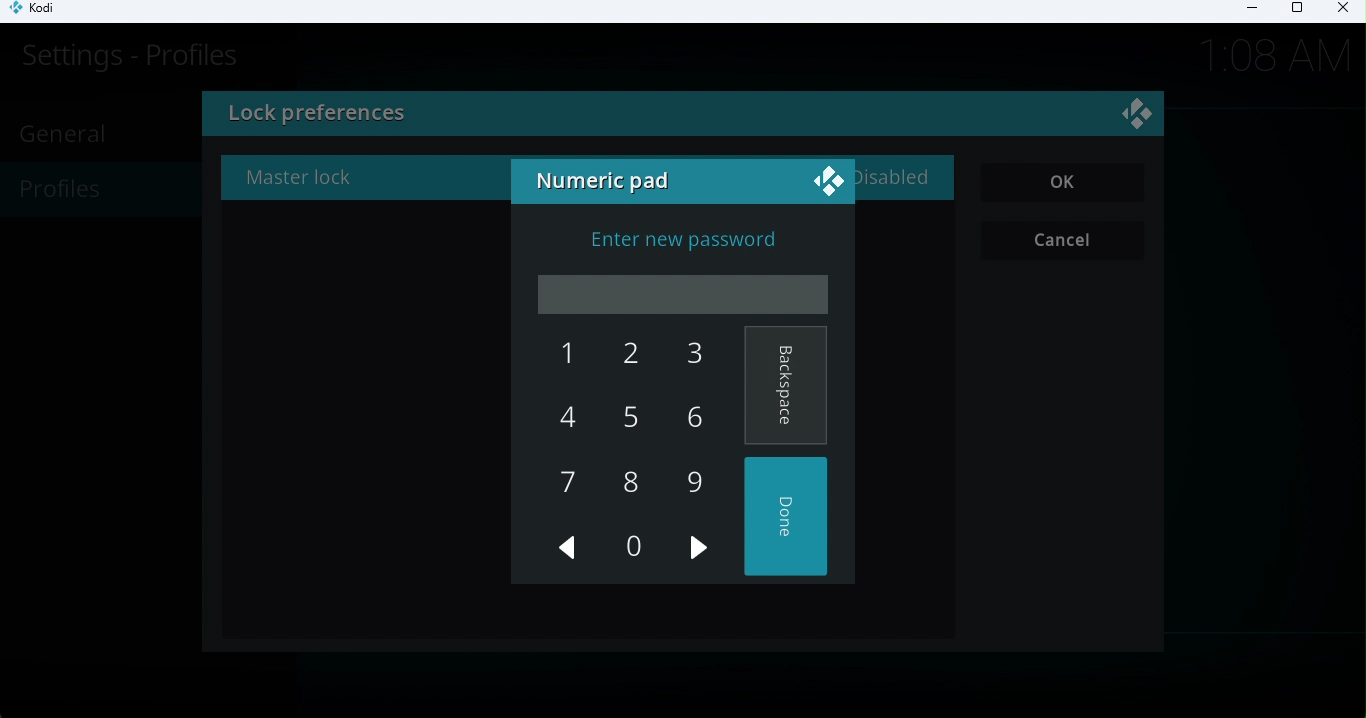  I want to click on 9, so click(694, 481).